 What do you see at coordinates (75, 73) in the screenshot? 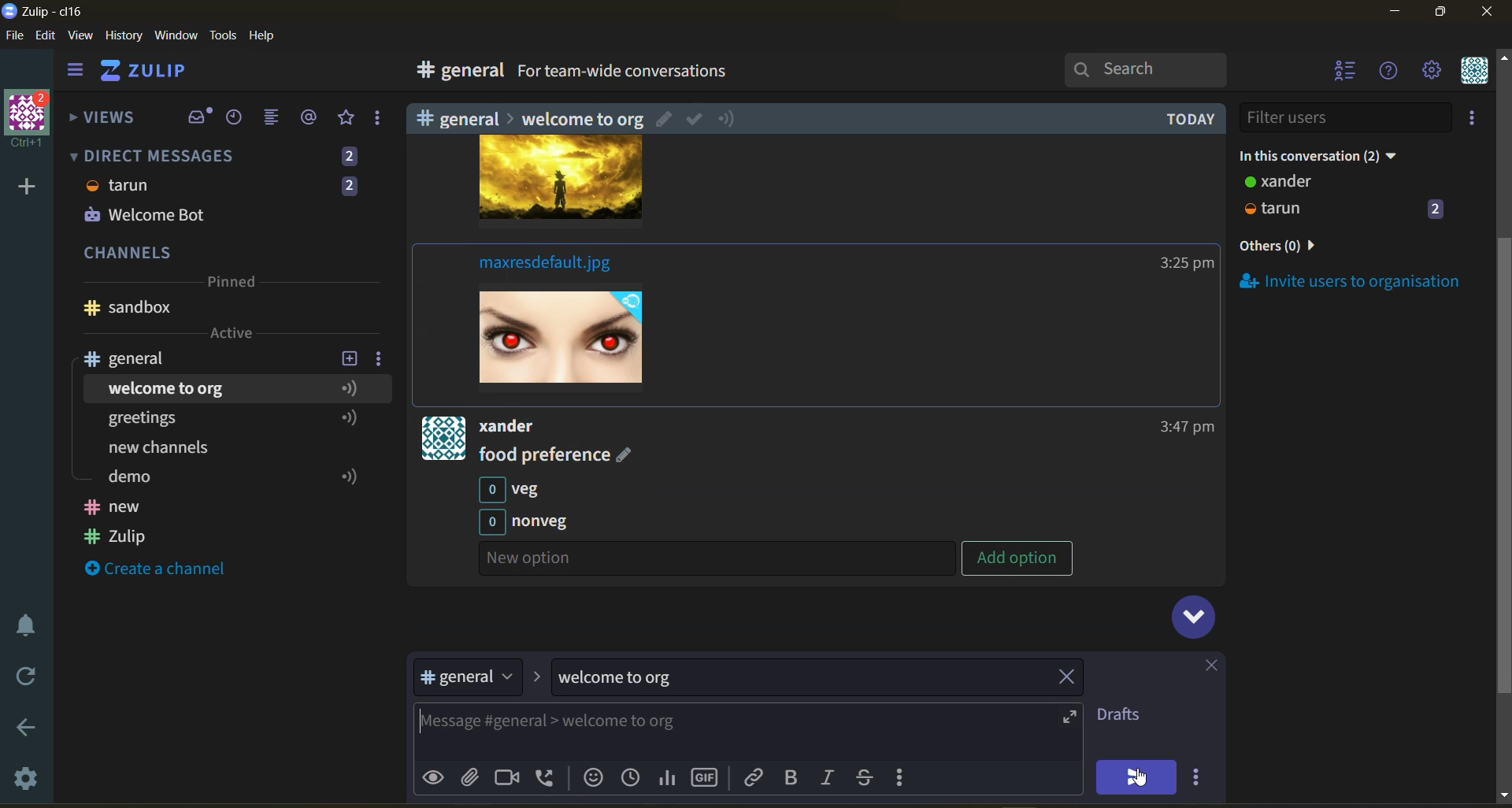
I see `hide side bar` at bounding box center [75, 73].